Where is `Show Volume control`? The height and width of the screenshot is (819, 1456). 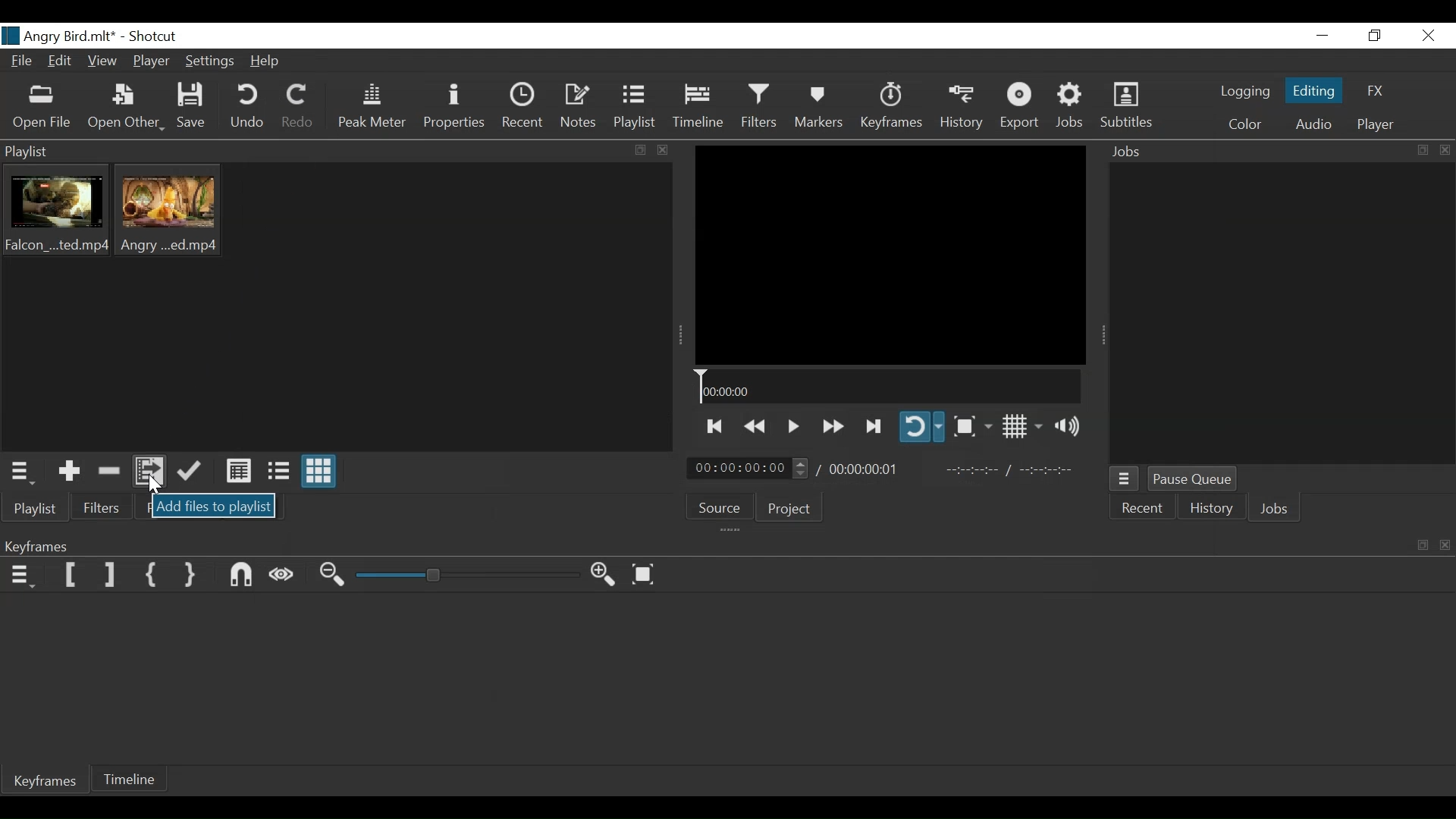
Show Volume control is located at coordinates (1072, 428).